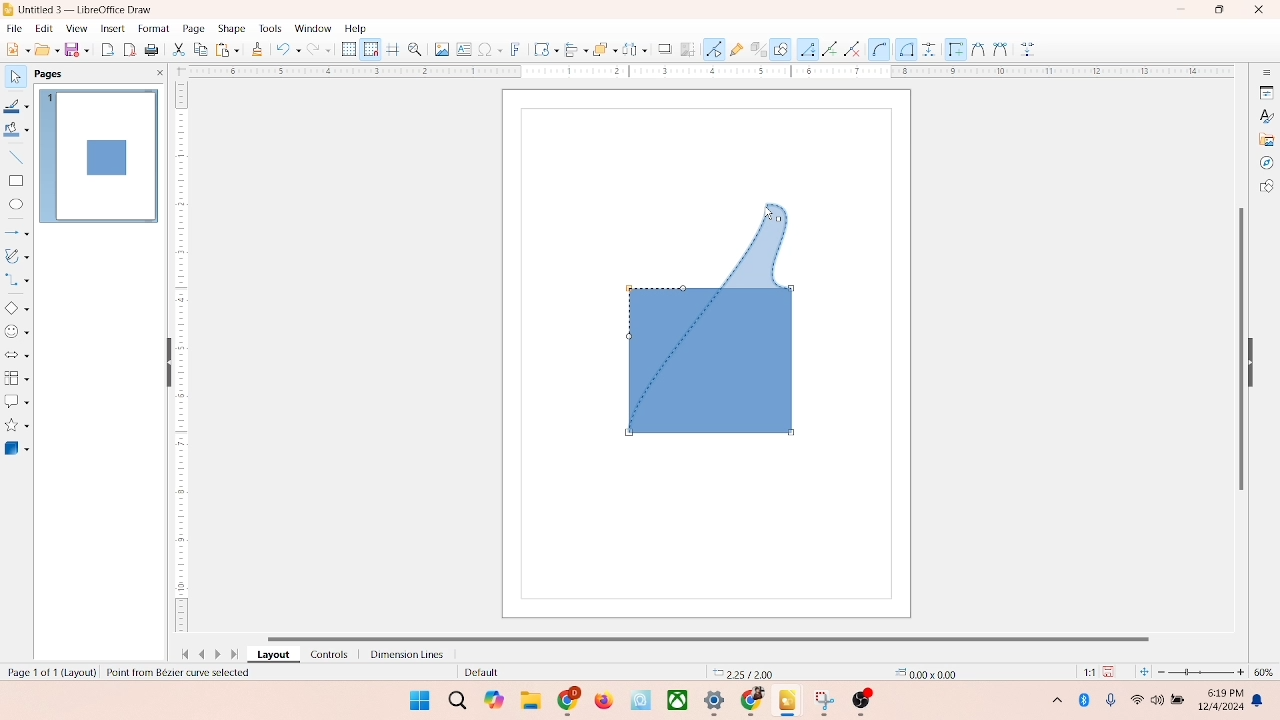  What do you see at coordinates (99, 155) in the screenshot?
I see `page 1` at bounding box center [99, 155].